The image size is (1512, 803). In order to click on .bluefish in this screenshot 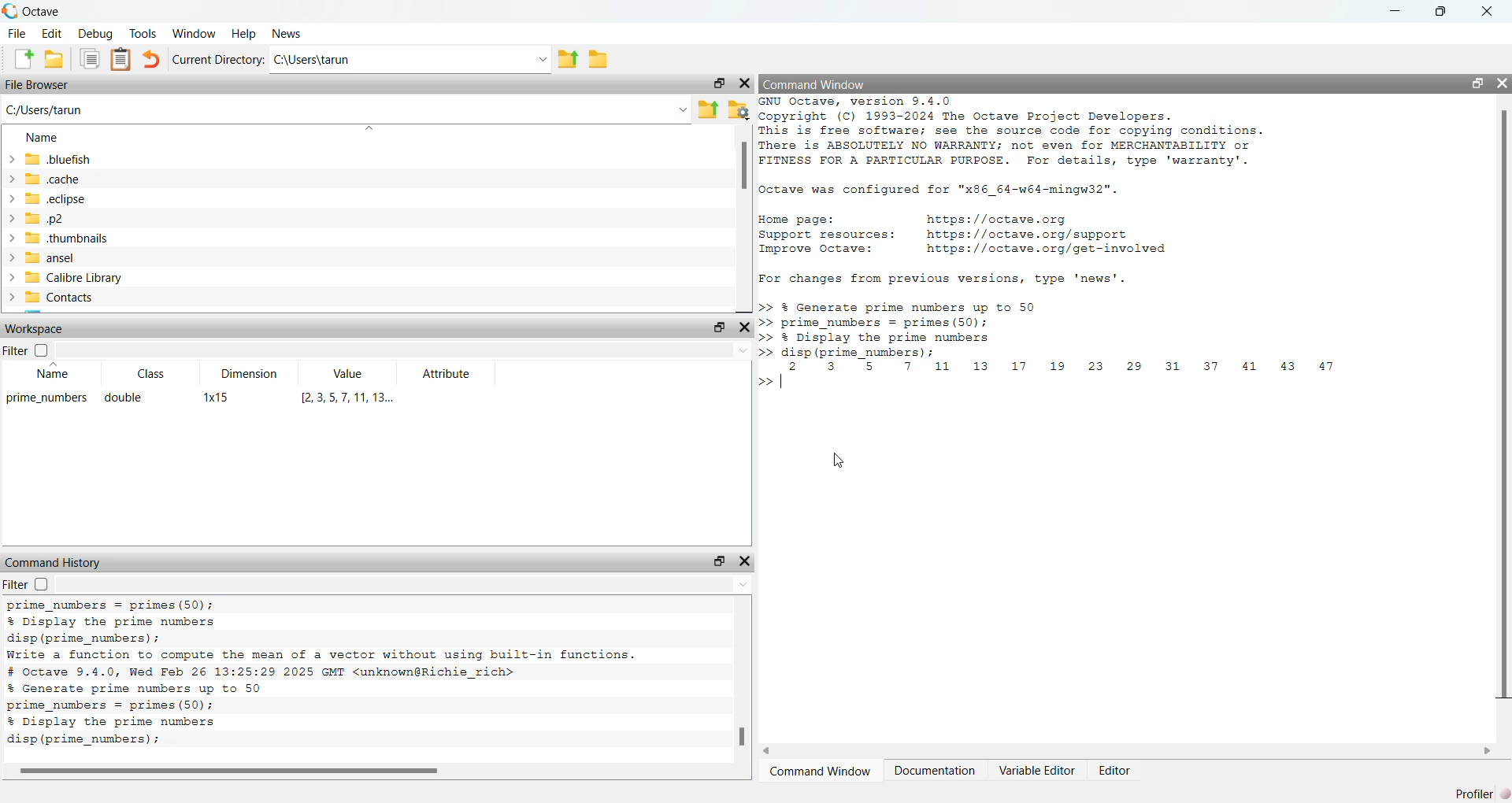, I will do `click(58, 160)`.